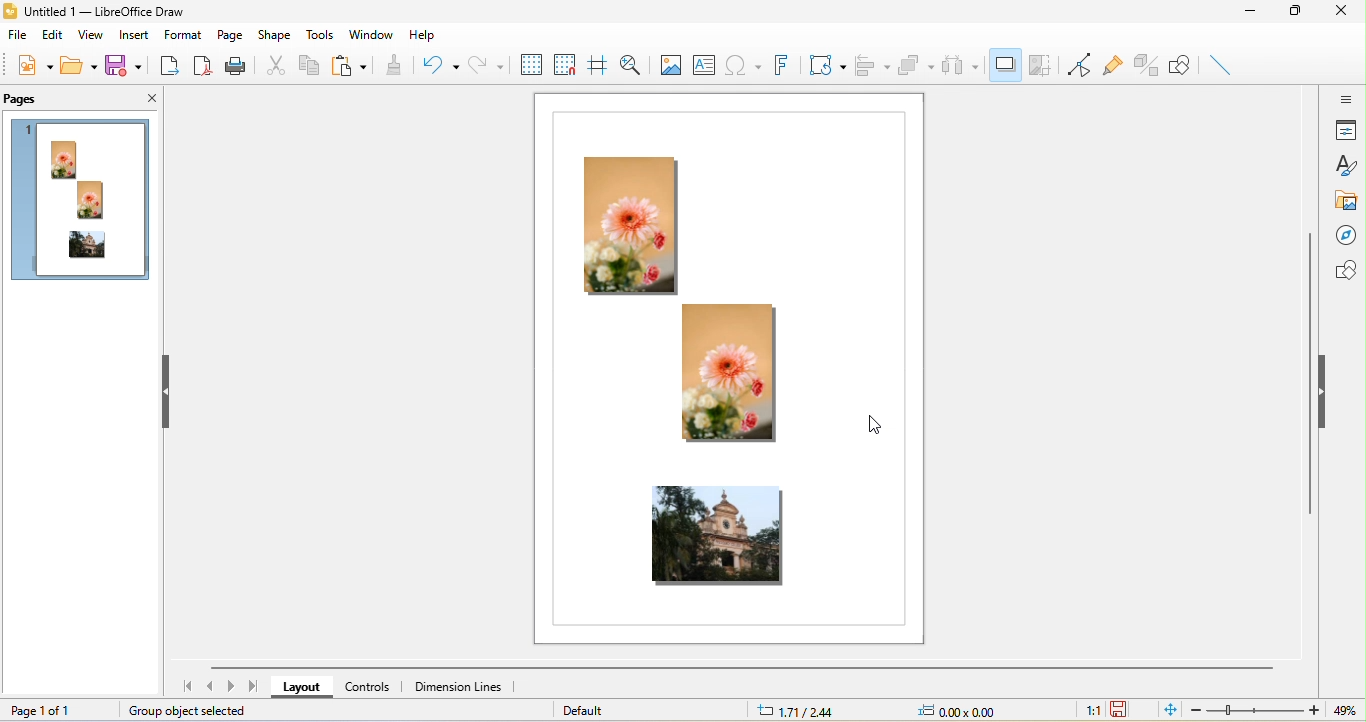 The height and width of the screenshot is (722, 1366). Describe the element at coordinates (1347, 201) in the screenshot. I see `gallery` at that location.